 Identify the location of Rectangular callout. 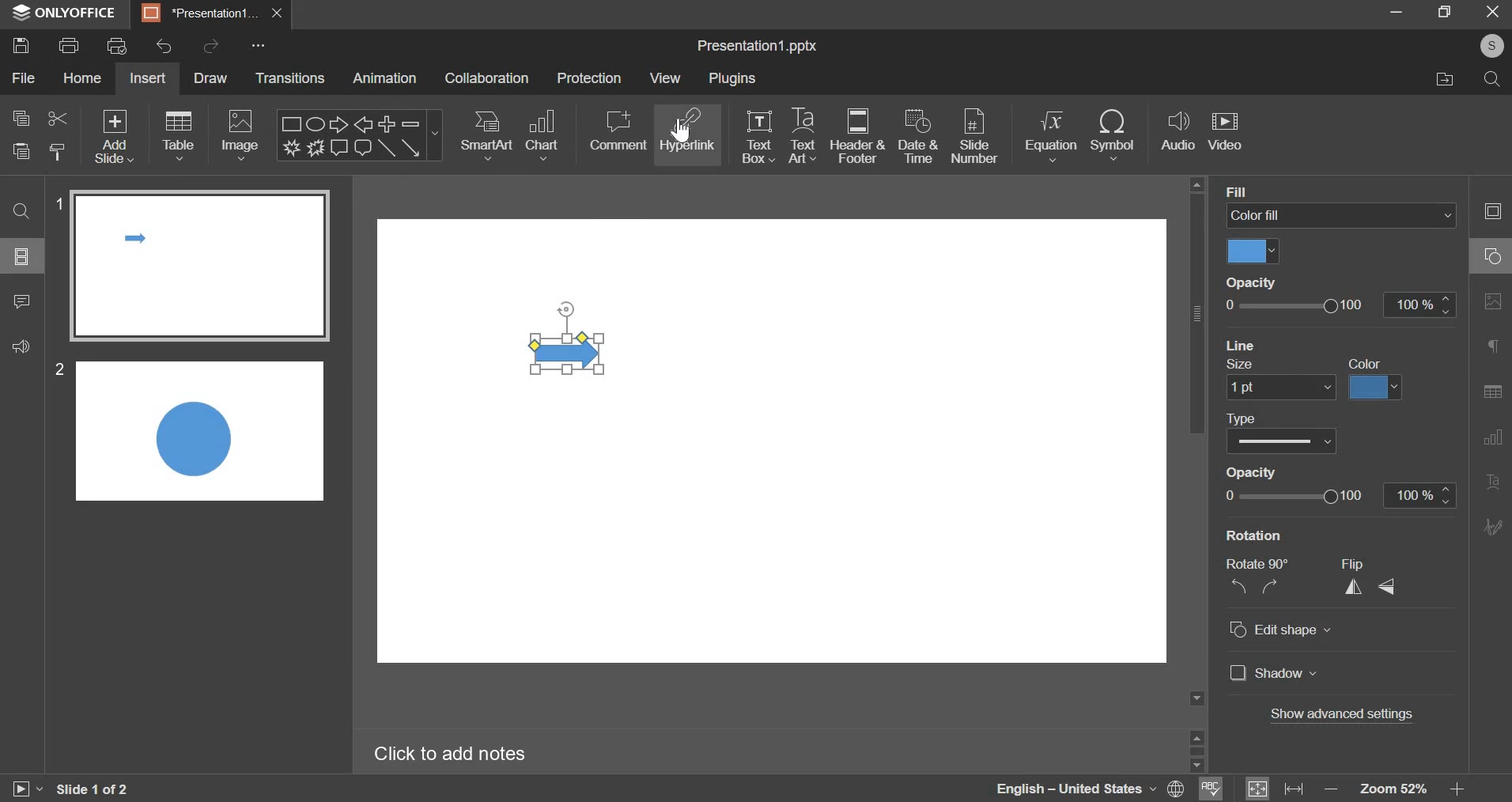
(340, 148).